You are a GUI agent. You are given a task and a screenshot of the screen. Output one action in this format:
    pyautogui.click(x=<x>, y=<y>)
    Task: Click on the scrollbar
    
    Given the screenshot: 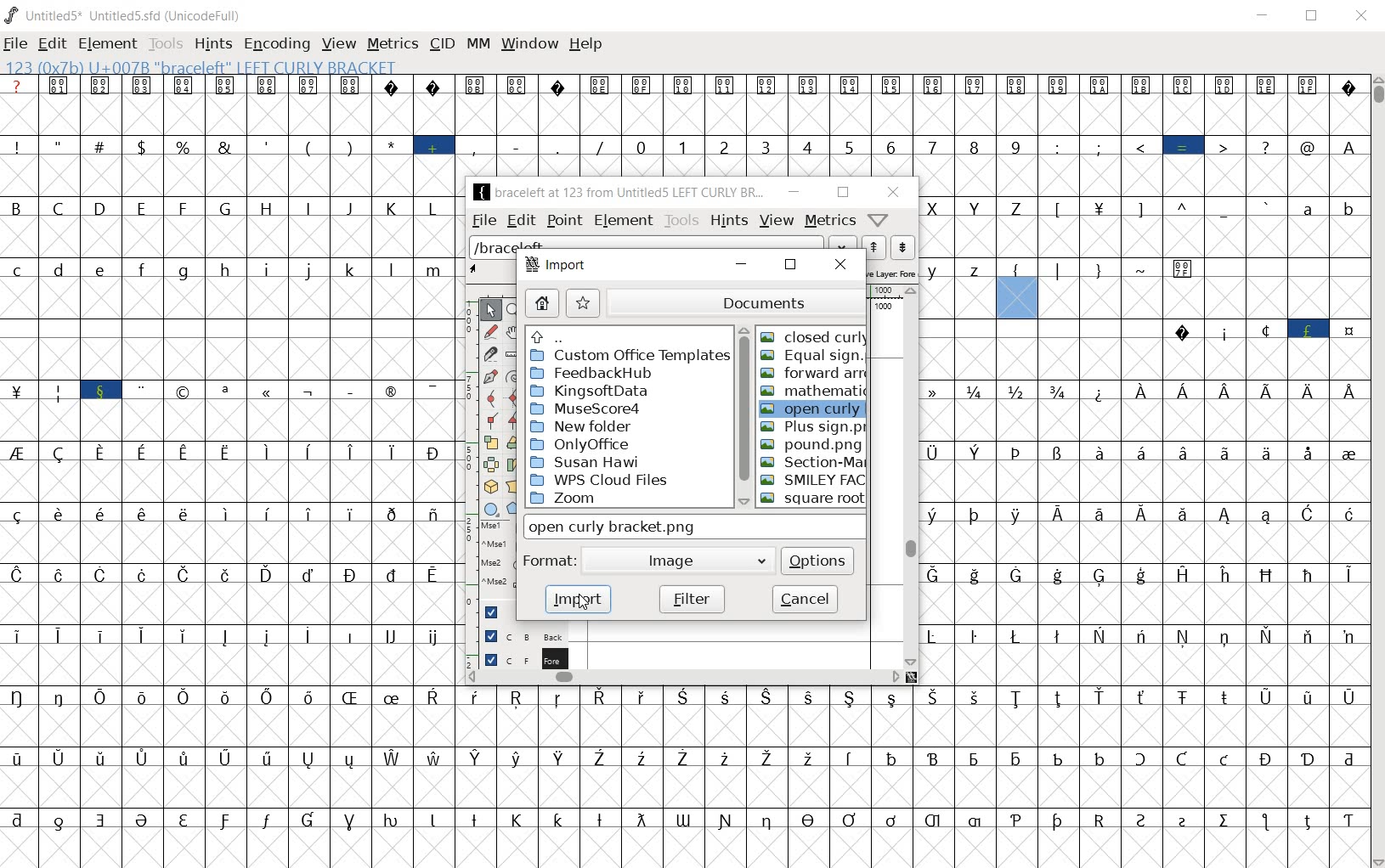 What is the action you would take?
    pyautogui.click(x=913, y=476)
    